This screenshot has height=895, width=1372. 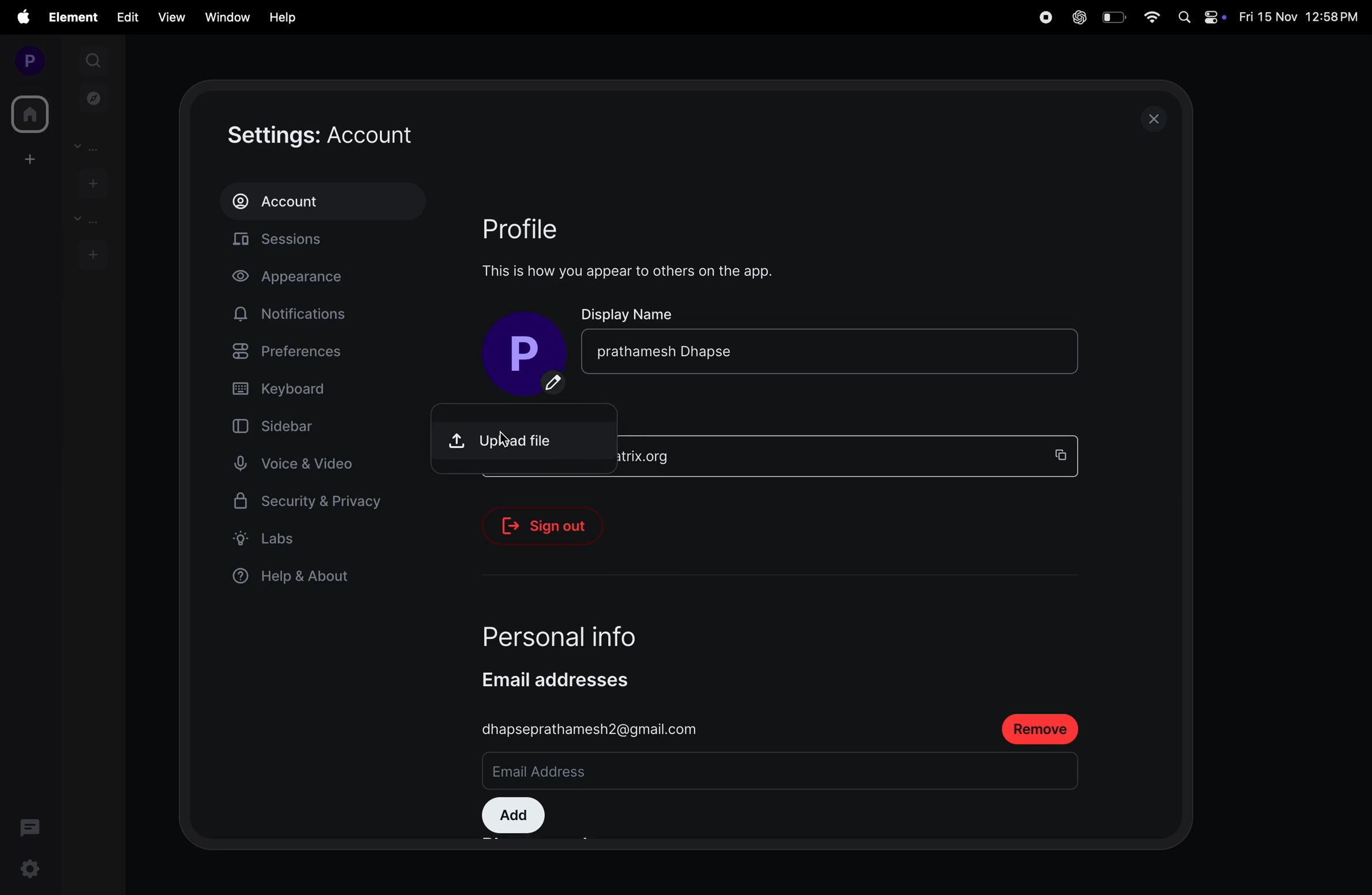 I want to click on help and anout, so click(x=298, y=578).